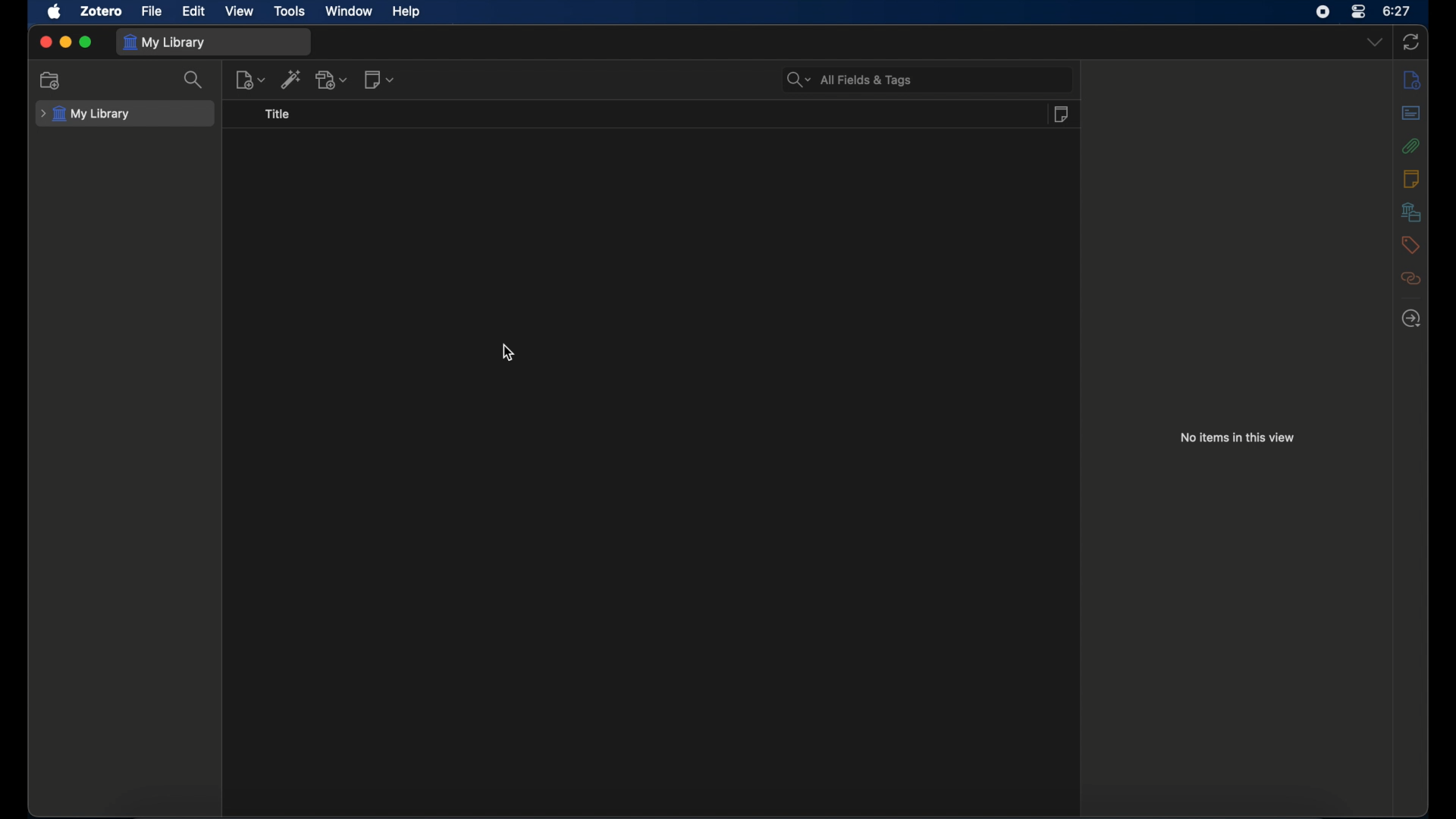 The height and width of the screenshot is (819, 1456). I want to click on screen recorder, so click(1323, 11).